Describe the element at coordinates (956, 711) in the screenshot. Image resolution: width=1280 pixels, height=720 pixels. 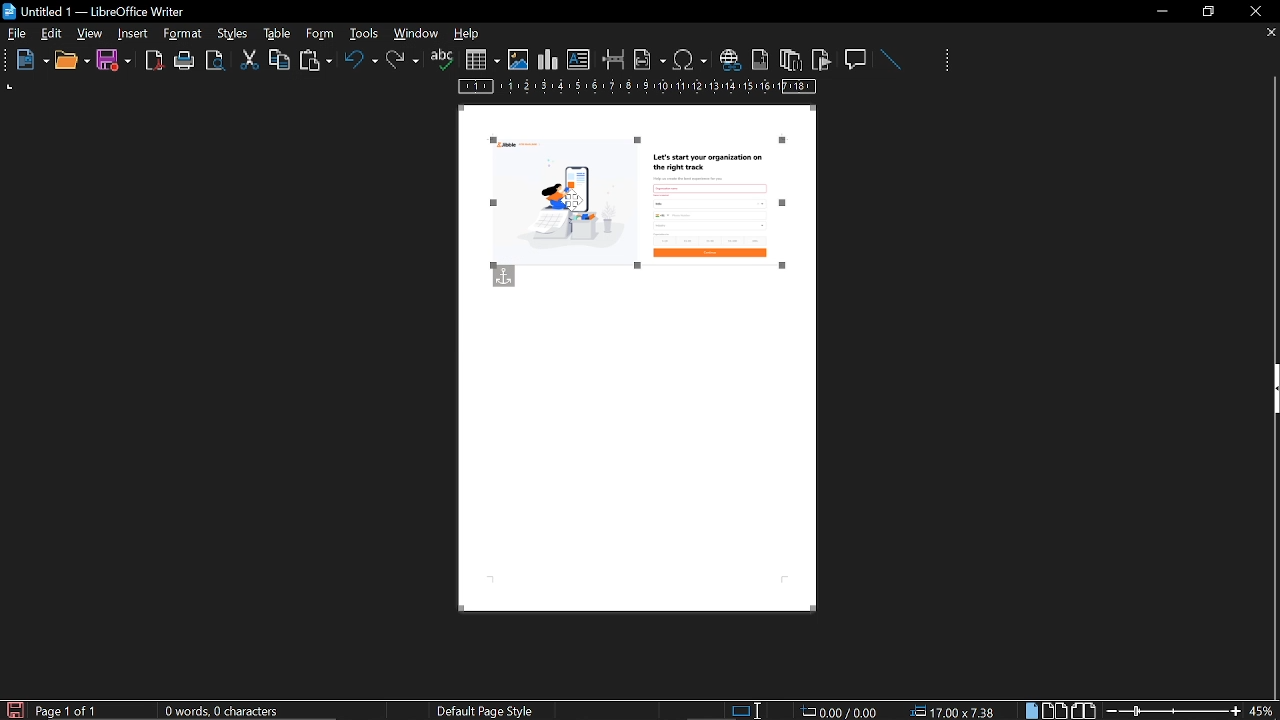
I see `position` at that location.